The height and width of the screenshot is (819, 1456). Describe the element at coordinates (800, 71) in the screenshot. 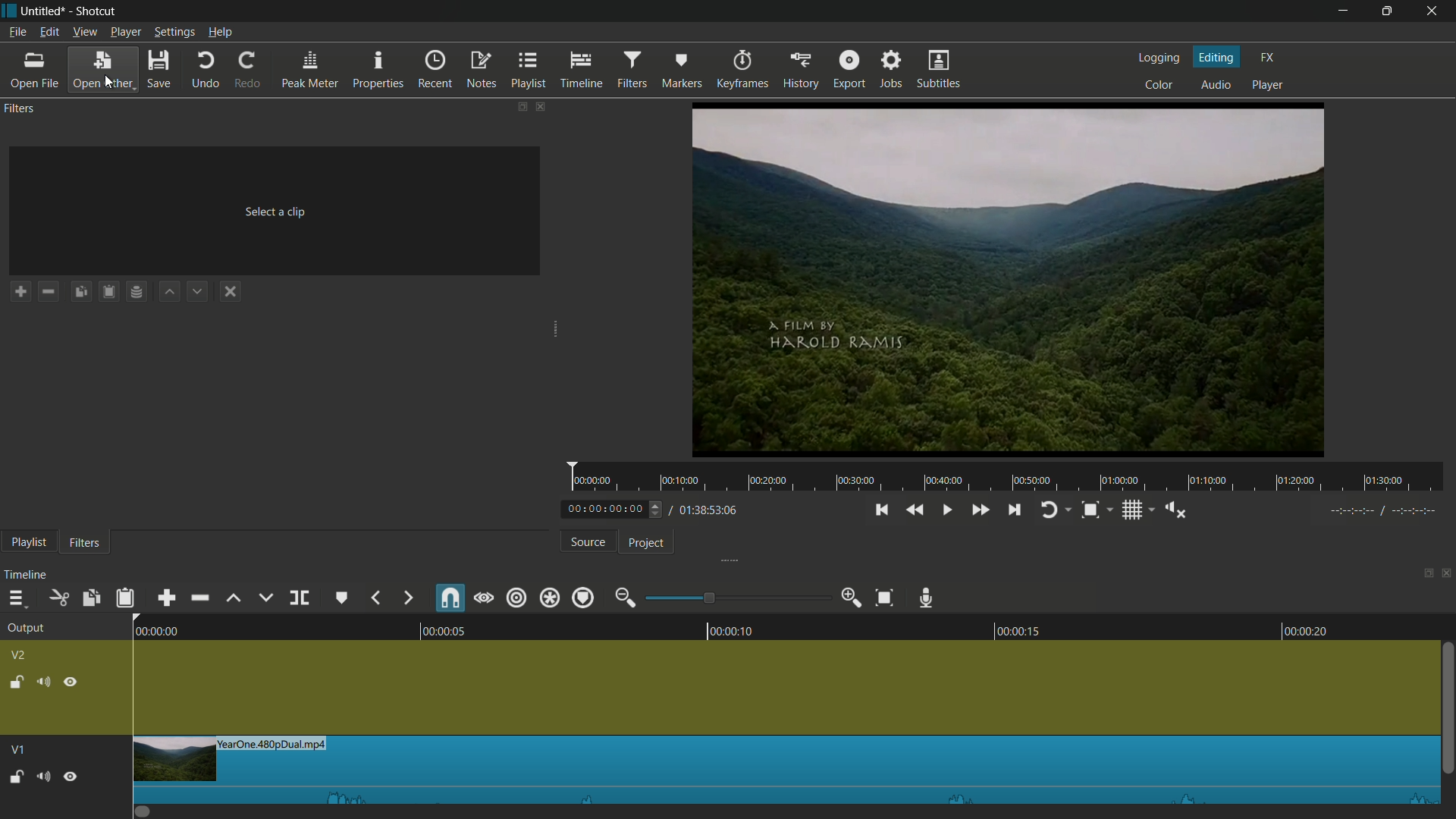

I see `history` at that location.